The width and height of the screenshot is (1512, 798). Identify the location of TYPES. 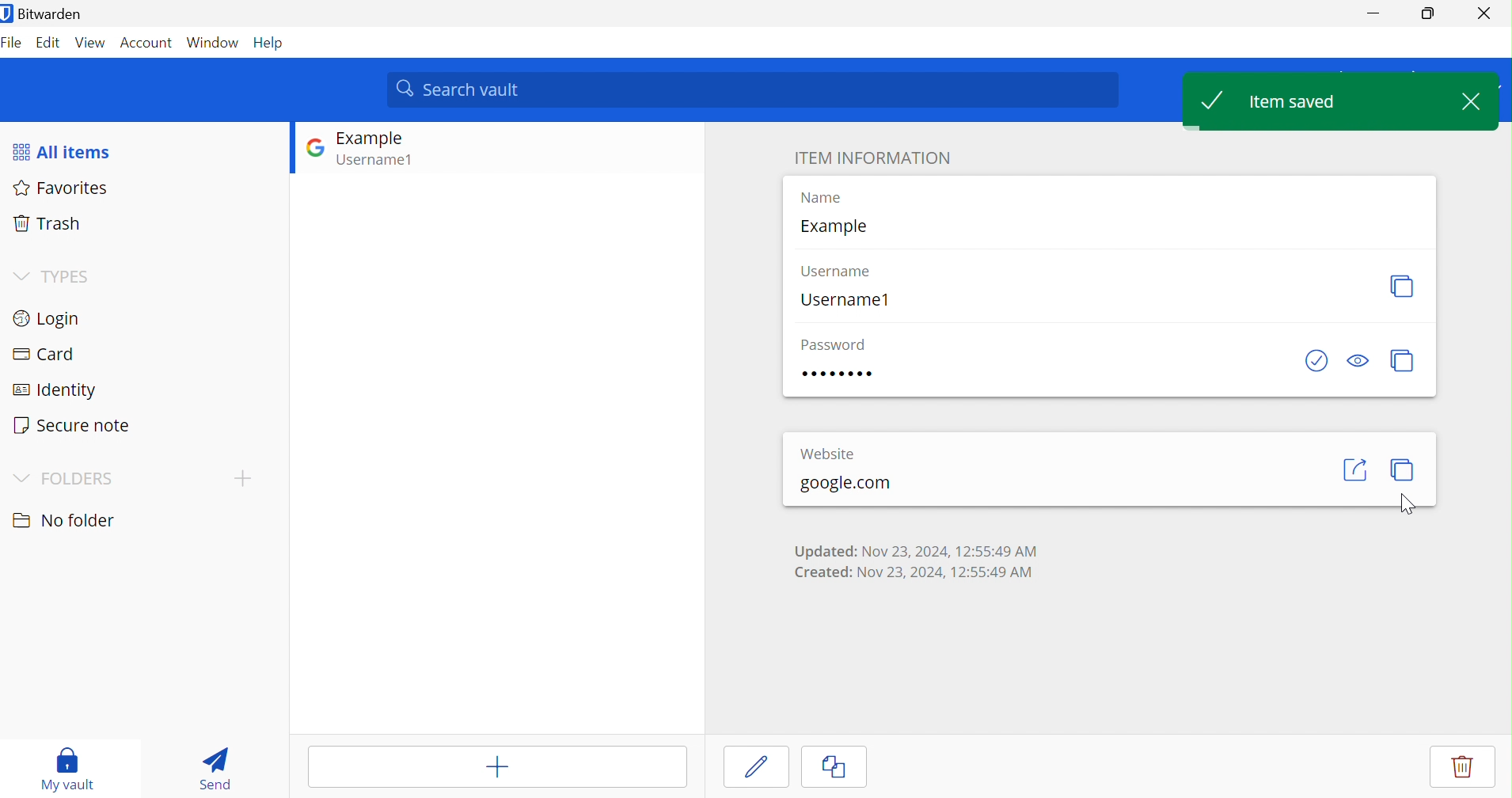
(69, 275).